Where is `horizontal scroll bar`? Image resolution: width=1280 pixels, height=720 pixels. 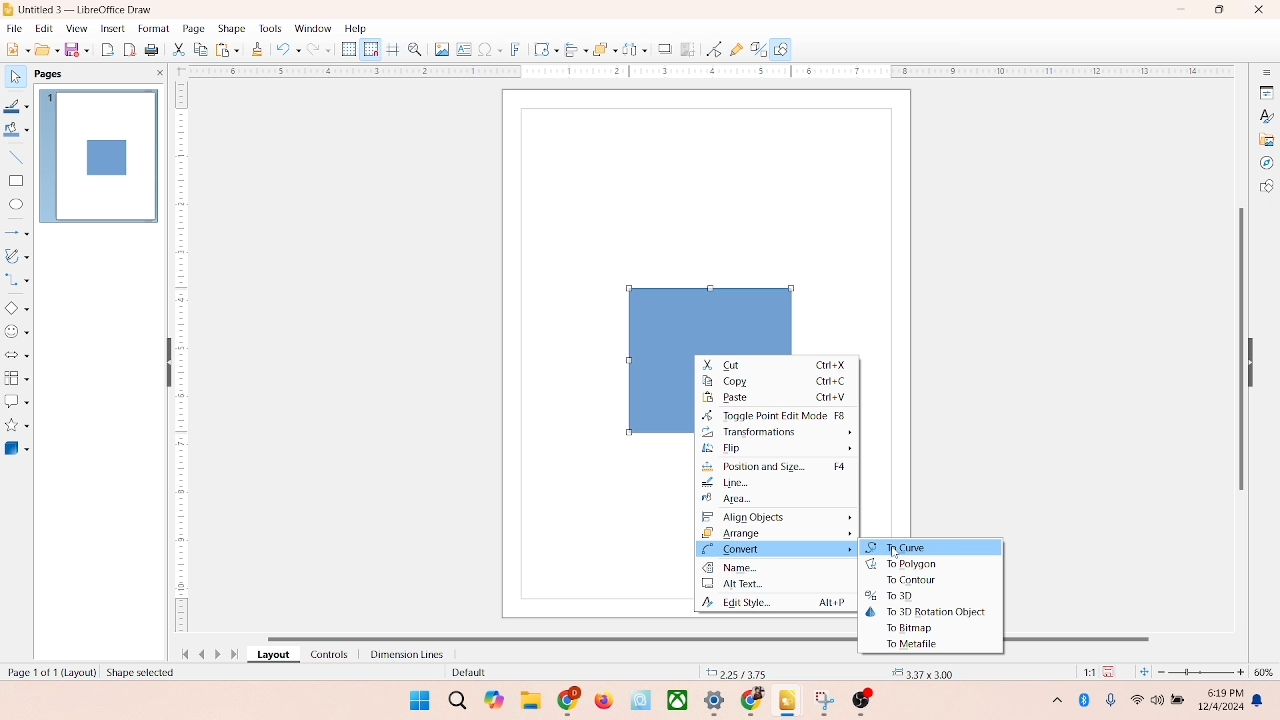
horizontal scroll bar is located at coordinates (534, 637).